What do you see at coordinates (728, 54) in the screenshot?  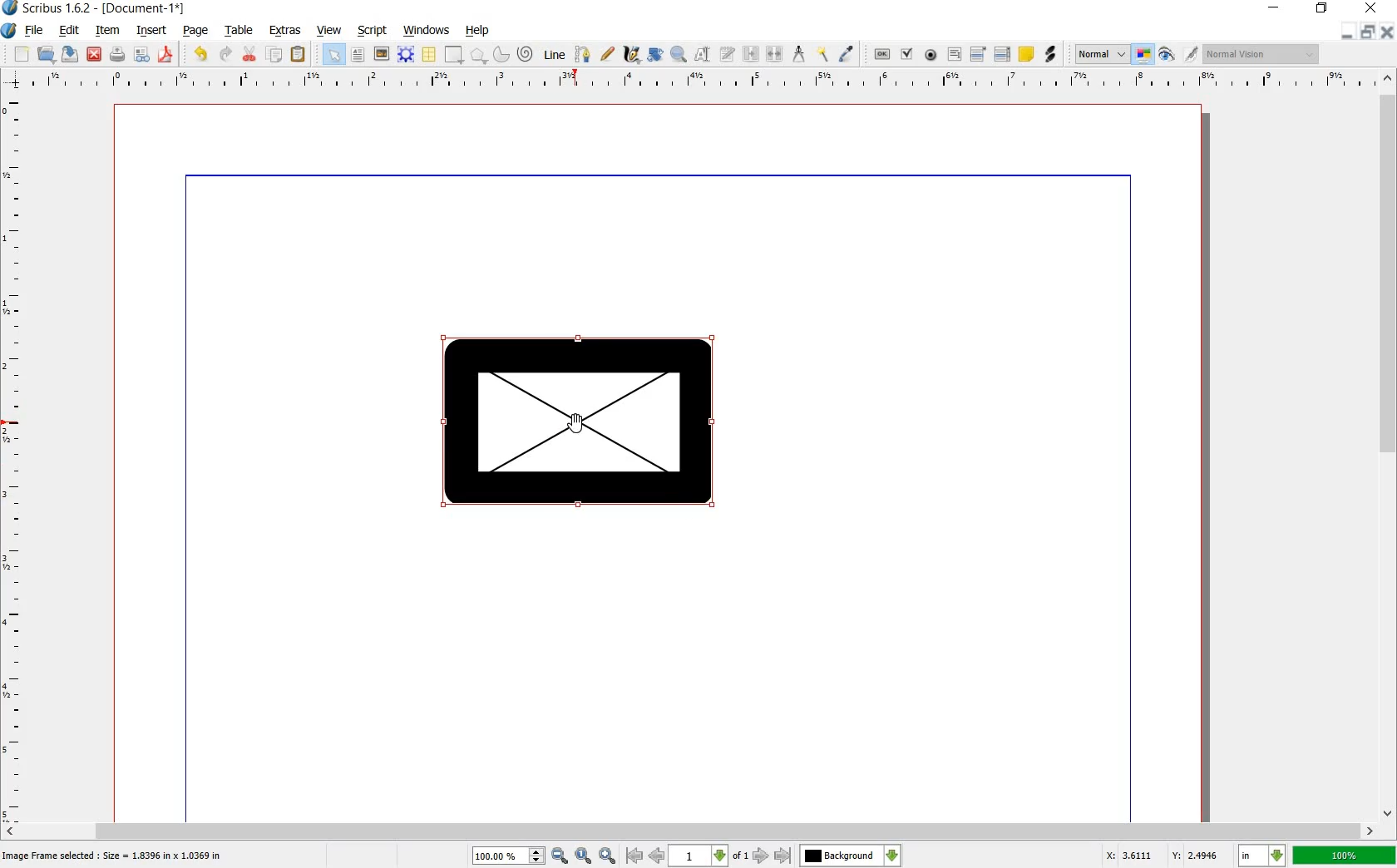 I see `edit text with story editor` at bounding box center [728, 54].